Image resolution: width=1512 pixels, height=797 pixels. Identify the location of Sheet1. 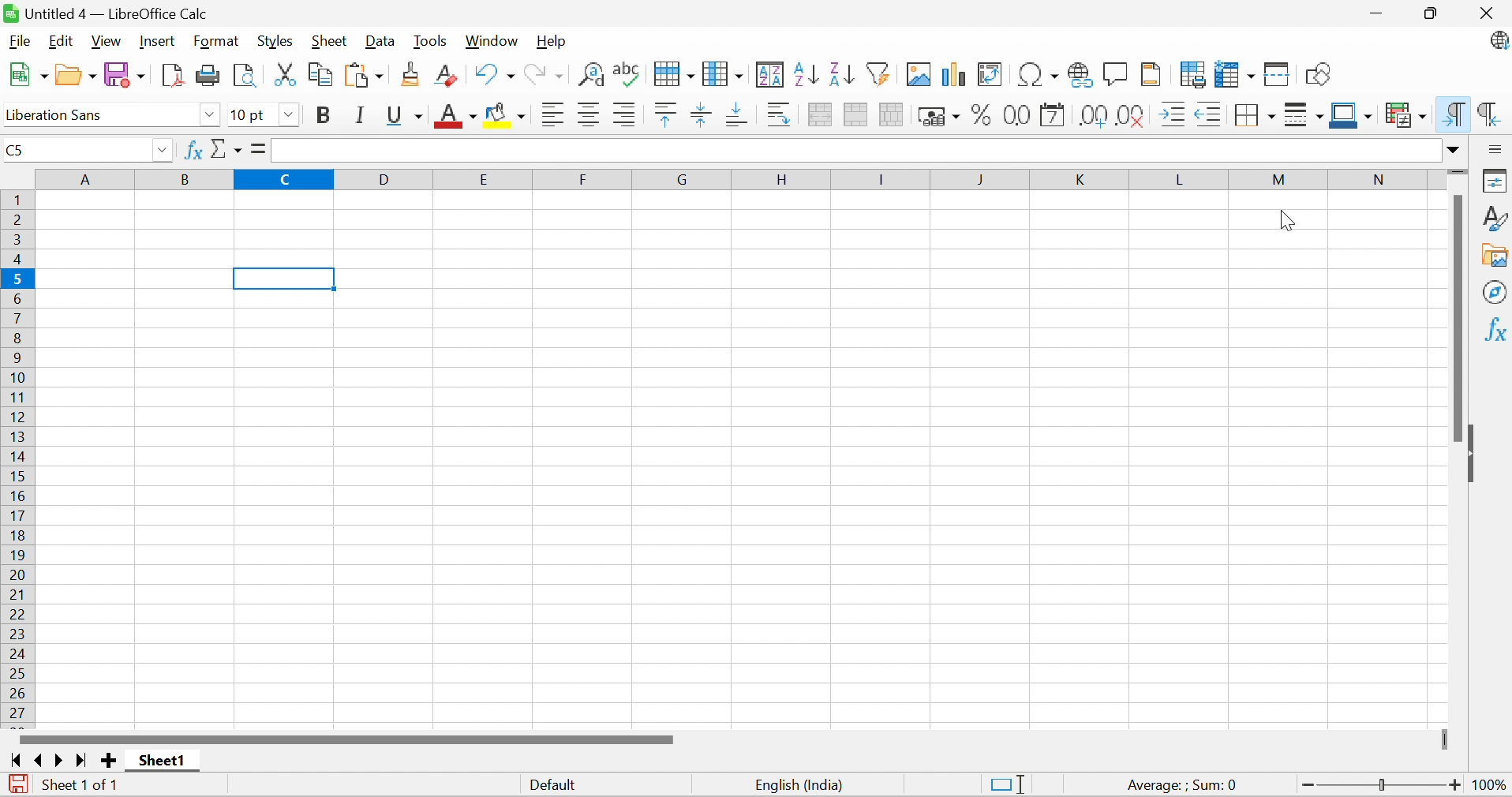
(163, 761).